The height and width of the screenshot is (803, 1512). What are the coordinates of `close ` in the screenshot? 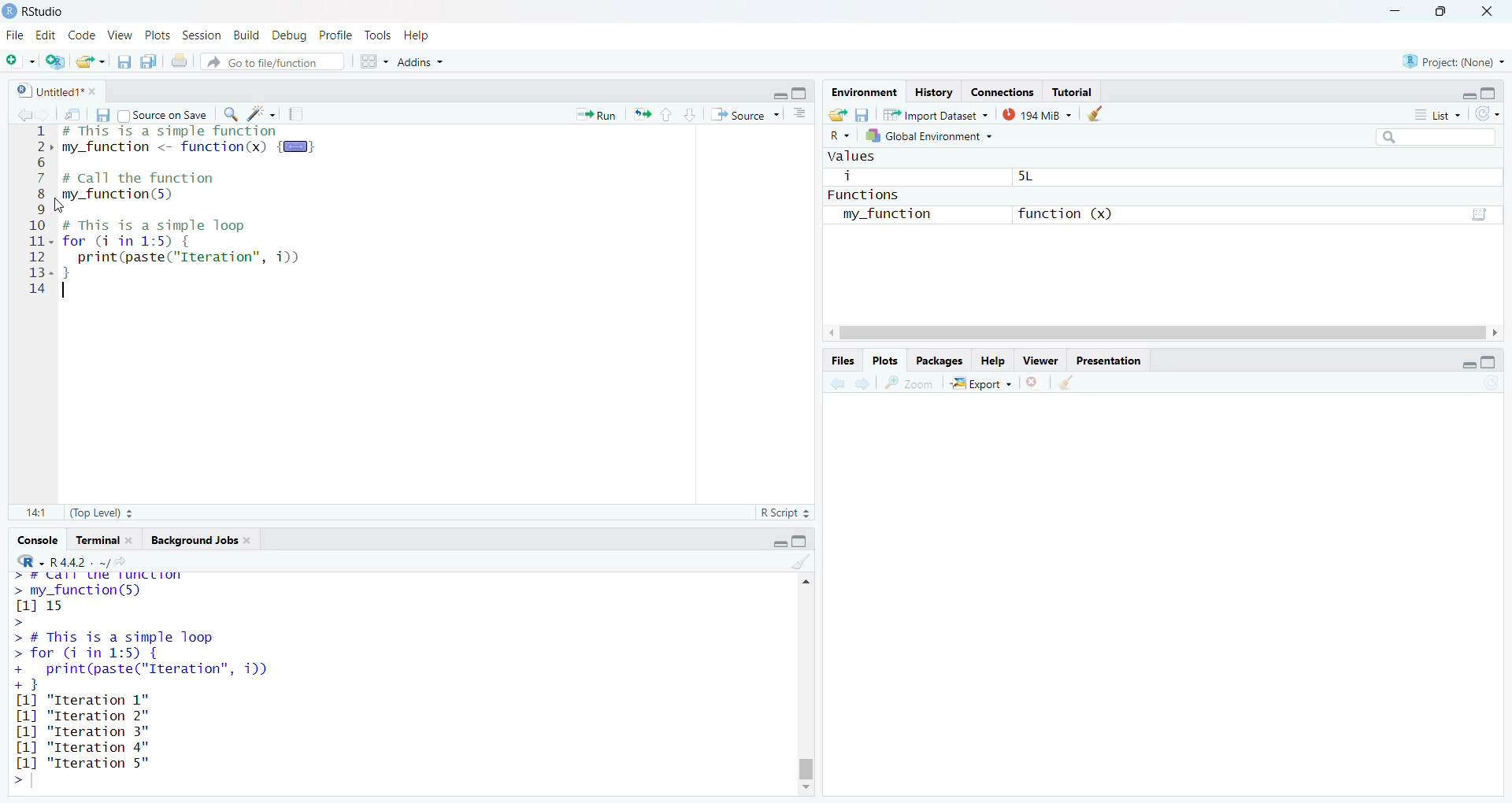 It's located at (134, 540).